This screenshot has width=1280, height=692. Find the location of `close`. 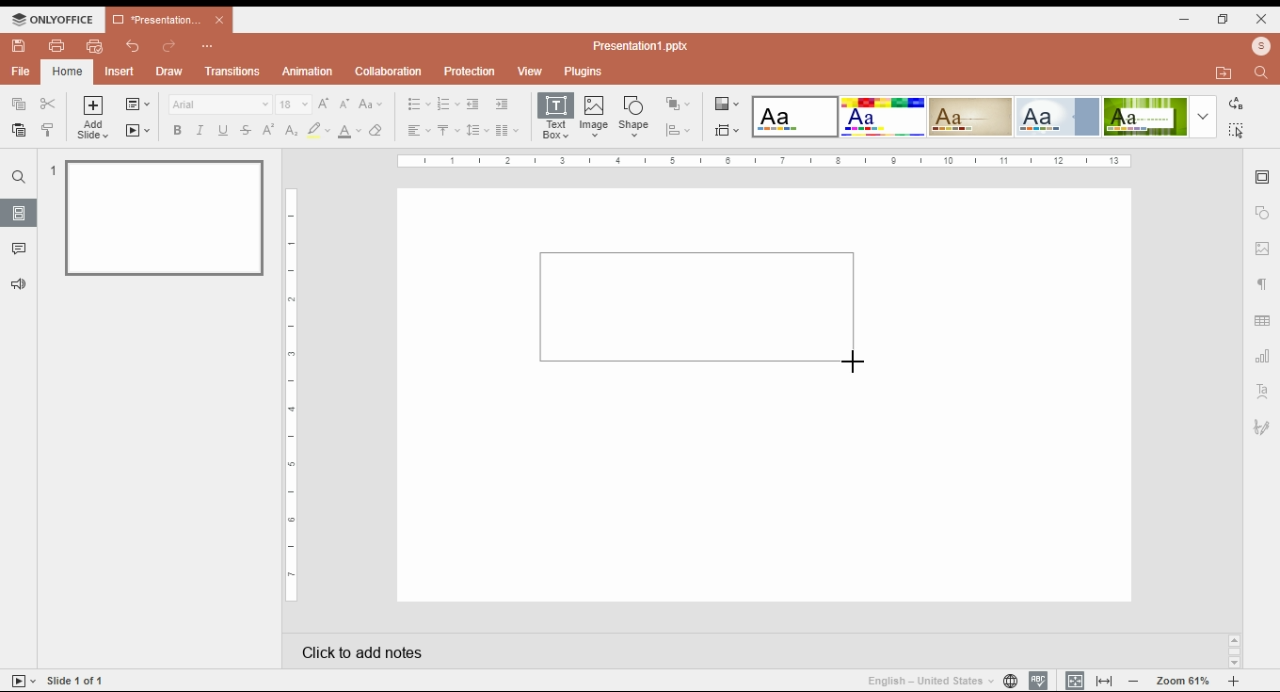

close is located at coordinates (220, 20).